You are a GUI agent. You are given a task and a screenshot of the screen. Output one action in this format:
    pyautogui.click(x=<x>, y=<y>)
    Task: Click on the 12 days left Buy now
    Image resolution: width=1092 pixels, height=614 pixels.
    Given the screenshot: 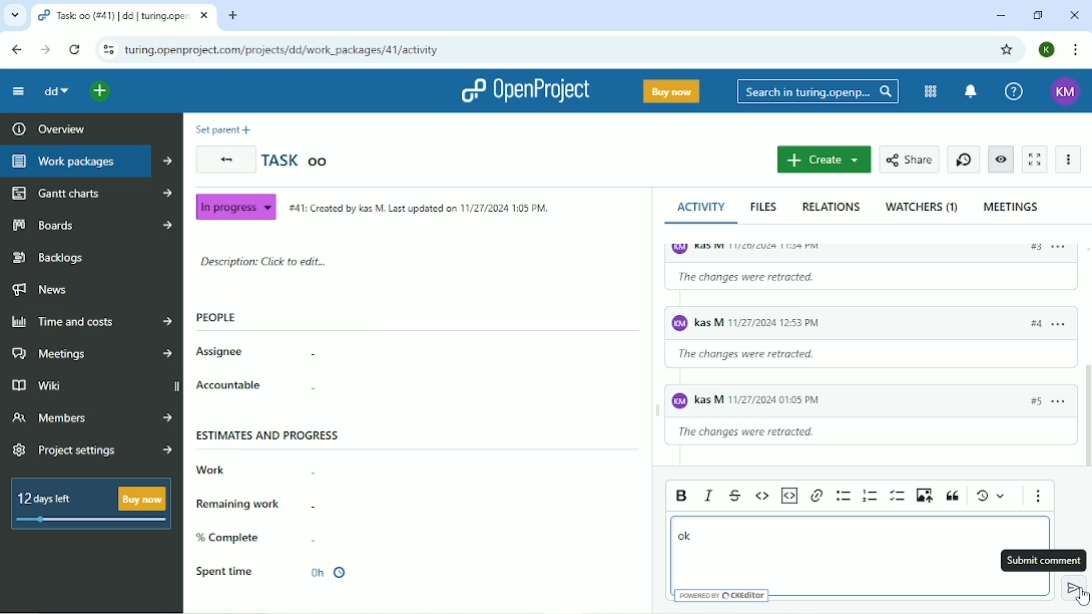 What is the action you would take?
    pyautogui.click(x=87, y=503)
    